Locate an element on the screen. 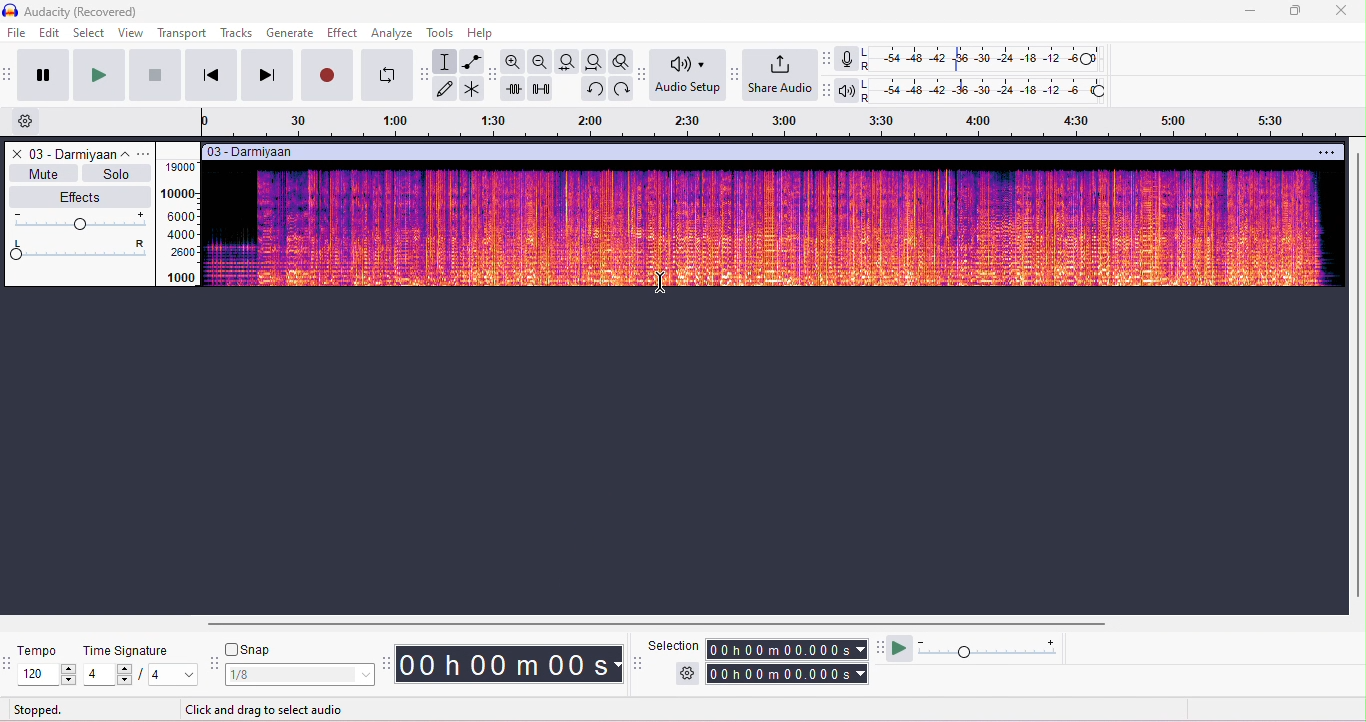 This screenshot has height=722, width=1366. volume is located at coordinates (81, 222).